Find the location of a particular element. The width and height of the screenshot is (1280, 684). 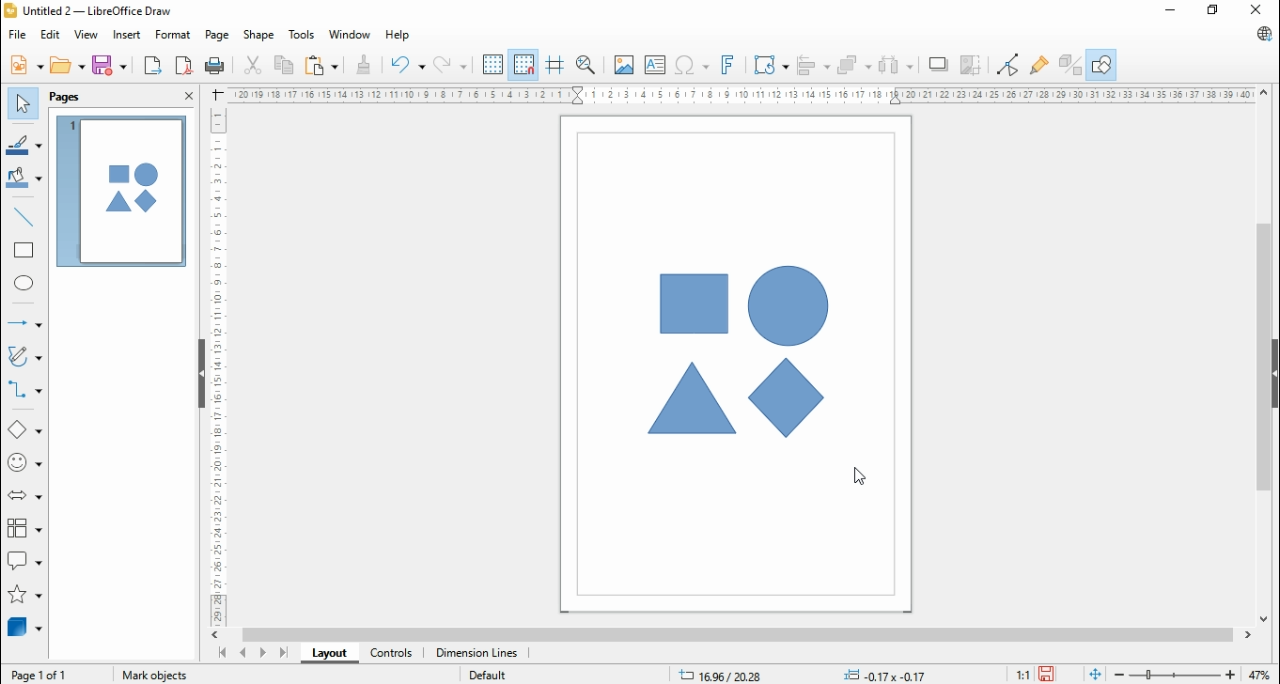

pages is located at coordinates (67, 97).